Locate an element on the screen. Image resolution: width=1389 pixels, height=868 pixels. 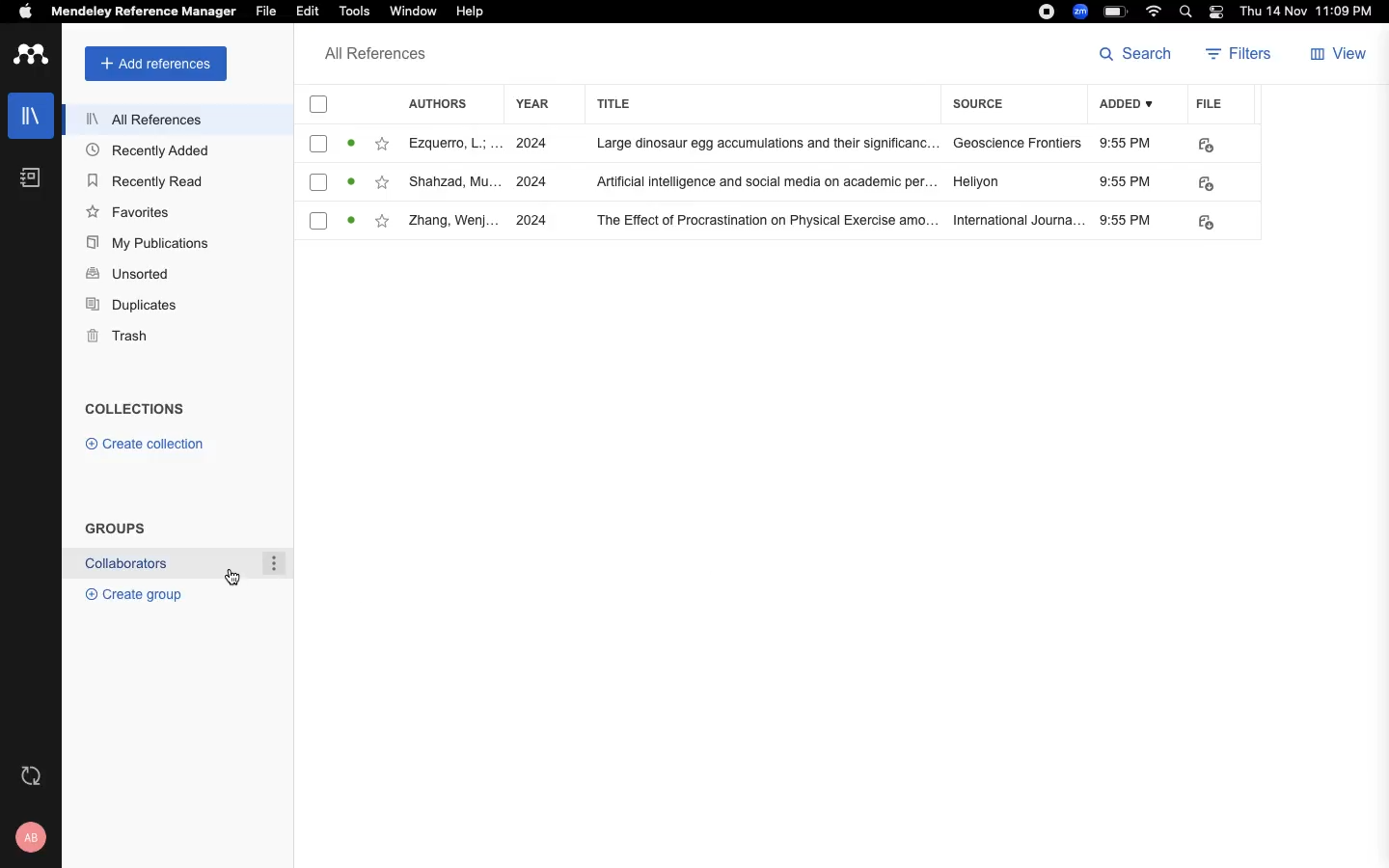
years is located at coordinates (542, 186).